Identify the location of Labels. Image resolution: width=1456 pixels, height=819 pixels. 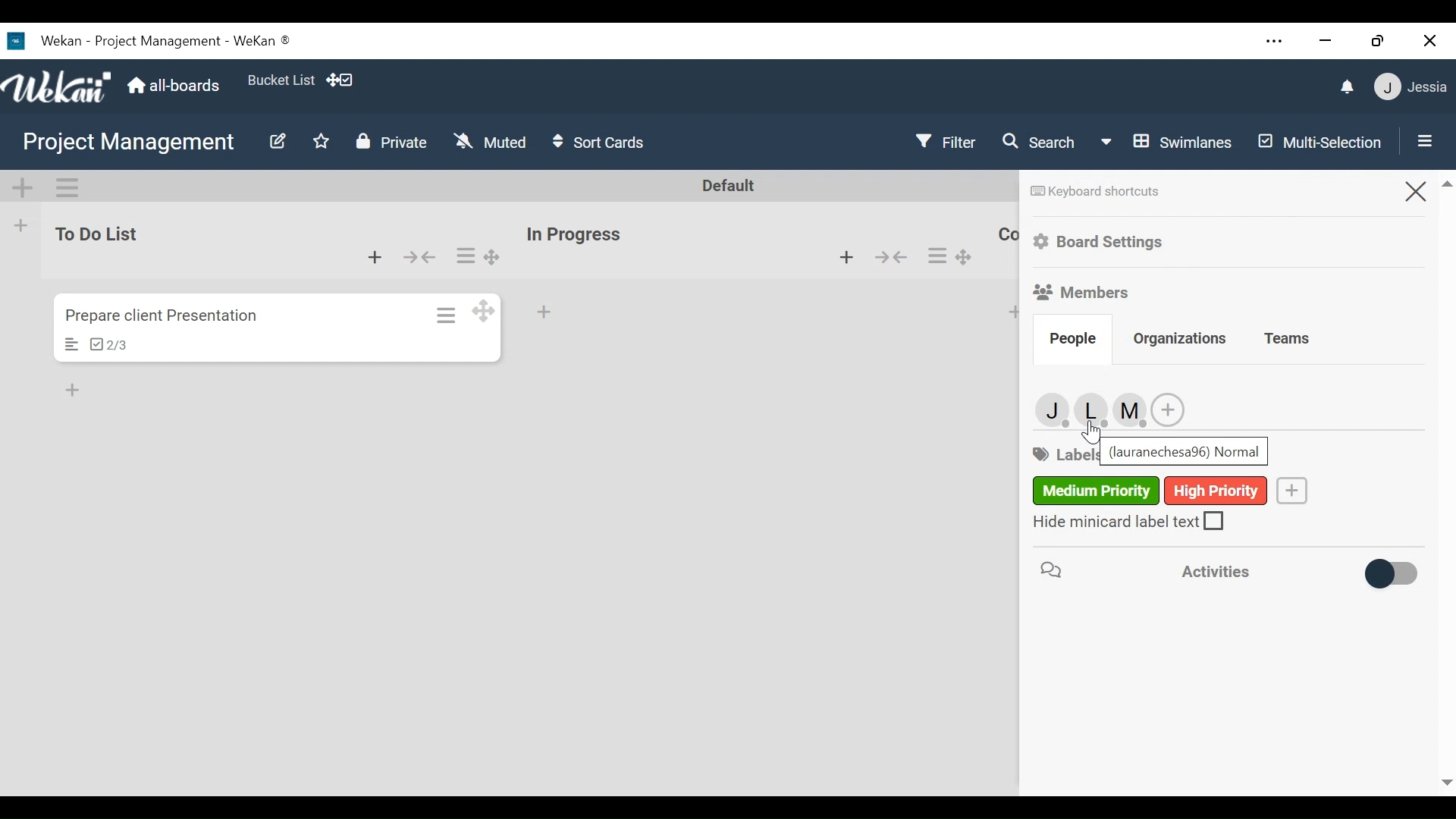
(1063, 456).